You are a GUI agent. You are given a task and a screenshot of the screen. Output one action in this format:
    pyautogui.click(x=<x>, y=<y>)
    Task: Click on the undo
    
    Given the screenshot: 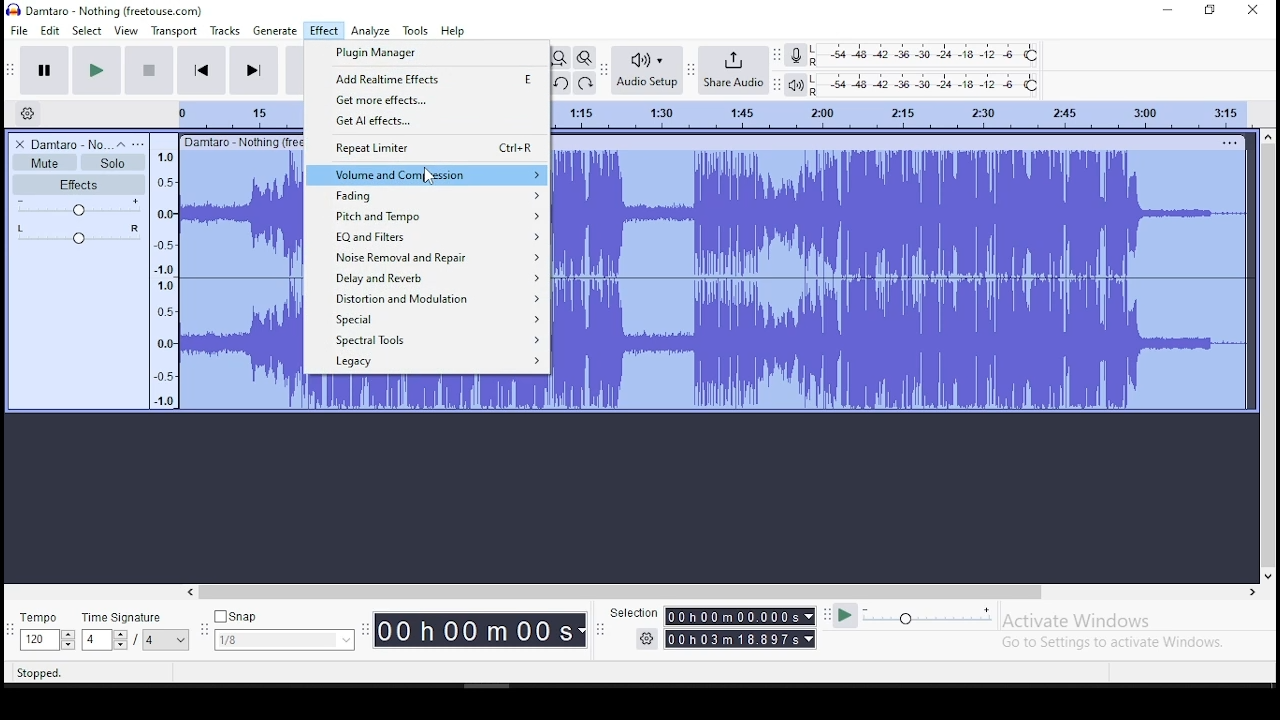 What is the action you would take?
    pyautogui.click(x=558, y=83)
    